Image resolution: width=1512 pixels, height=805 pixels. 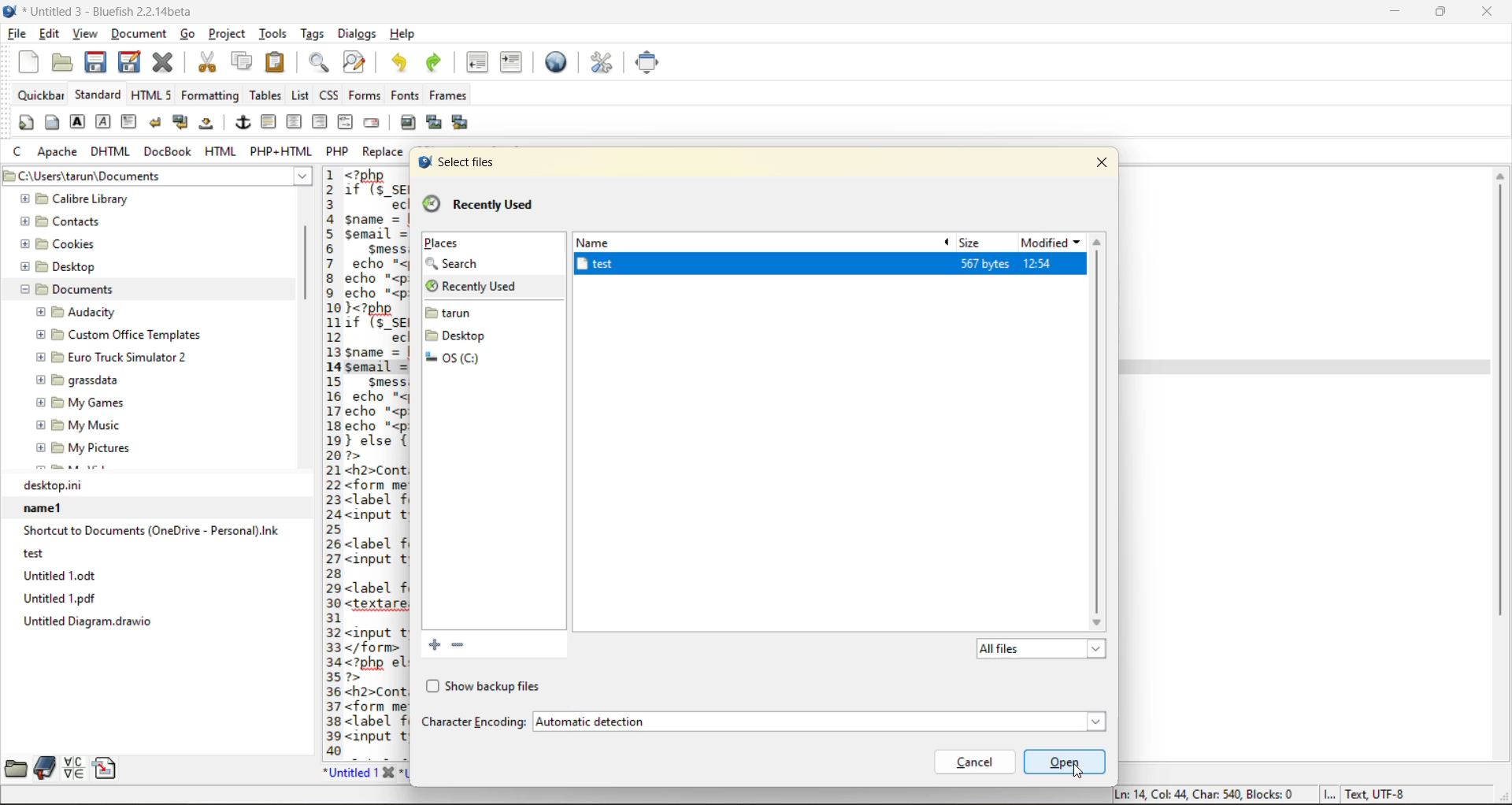 What do you see at coordinates (109, 768) in the screenshot?
I see `snippets` at bounding box center [109, 768].